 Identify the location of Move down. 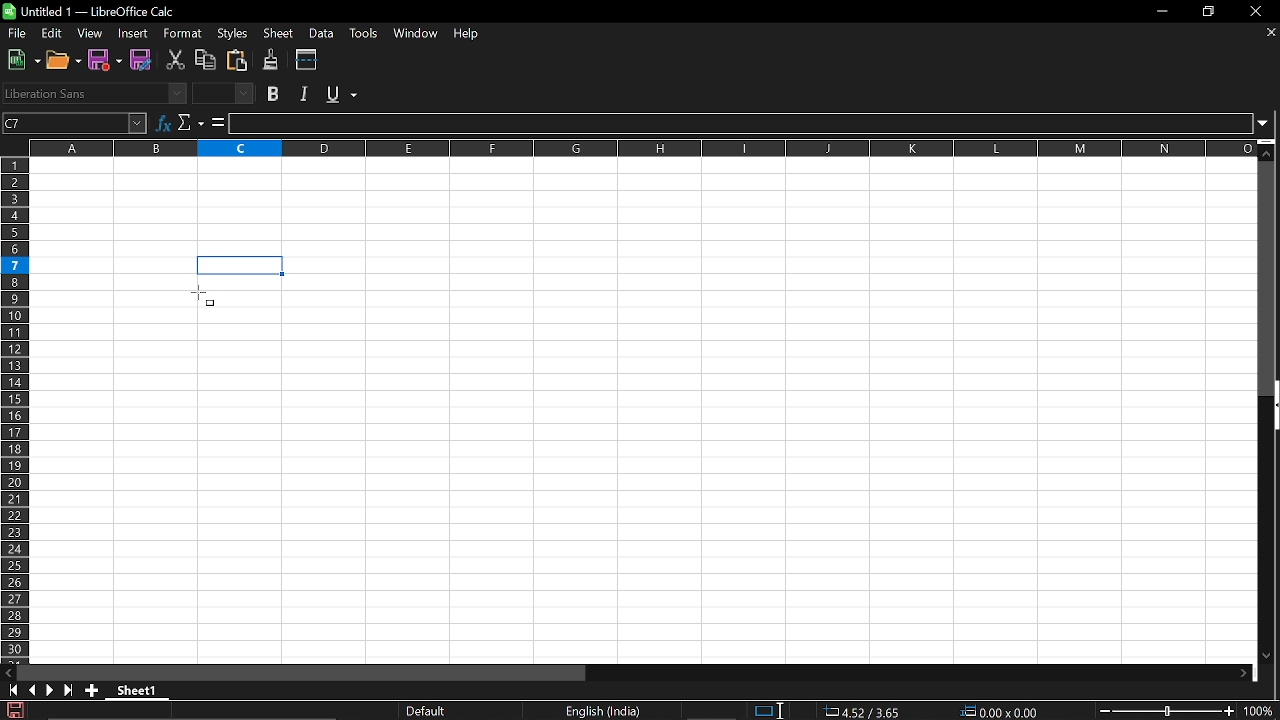
(1267, 657).